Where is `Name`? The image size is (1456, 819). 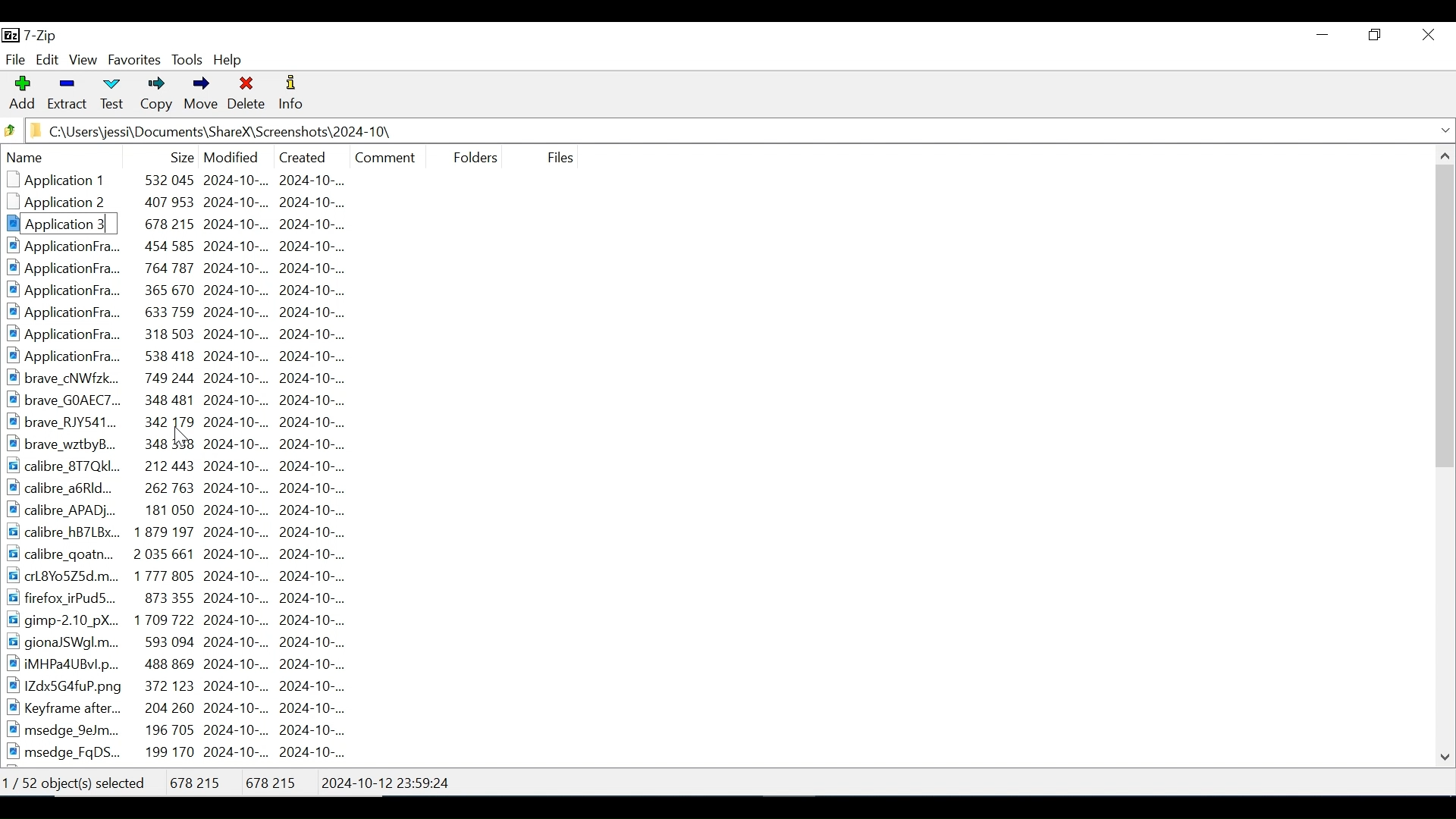 Name is located at coordinates (77, 158).